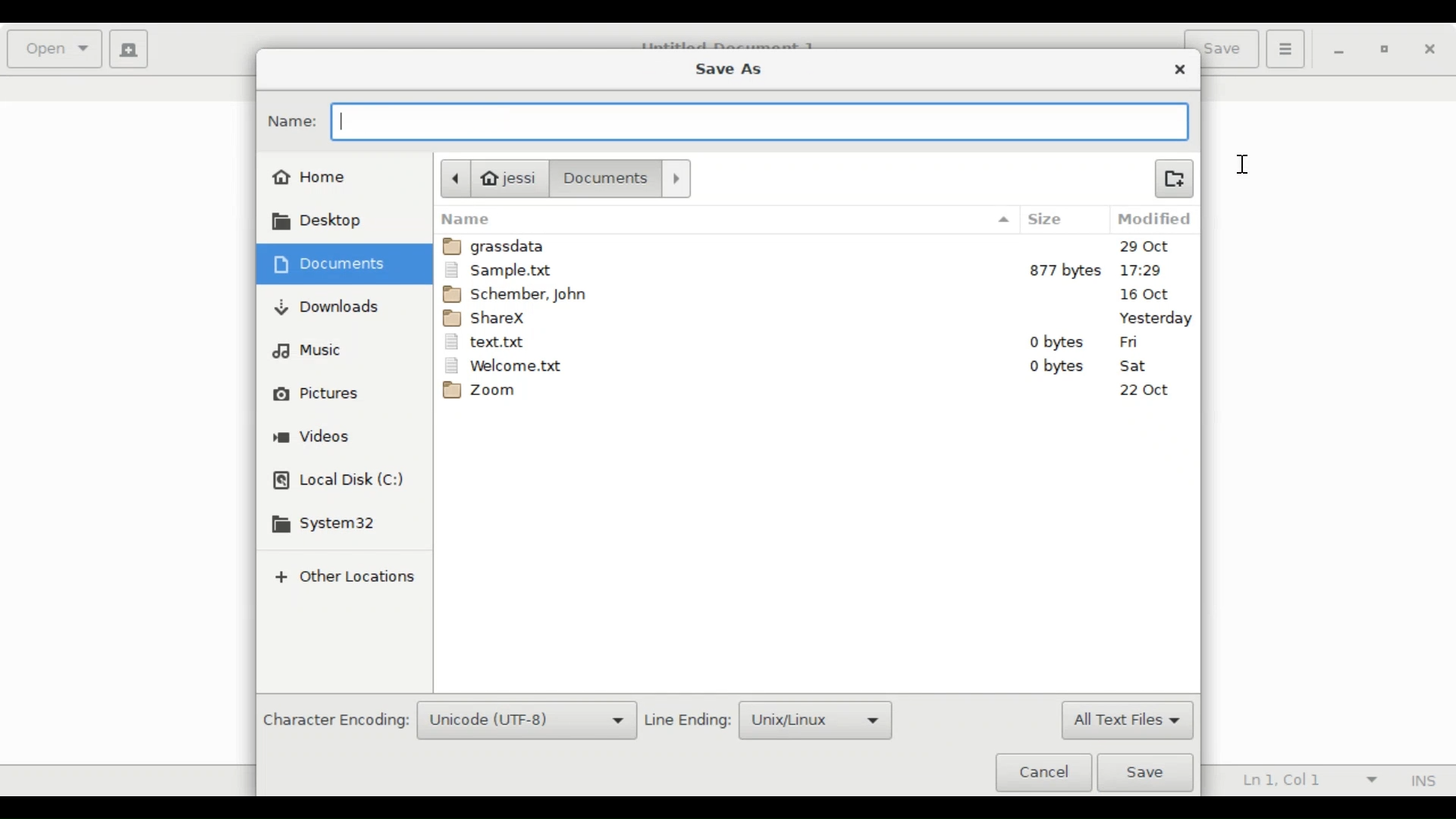 The height and width of the screenshot is (819, 1456). Describe the element at coordinates (325, 221) in the screenshot. I see `Desktop` at that location.